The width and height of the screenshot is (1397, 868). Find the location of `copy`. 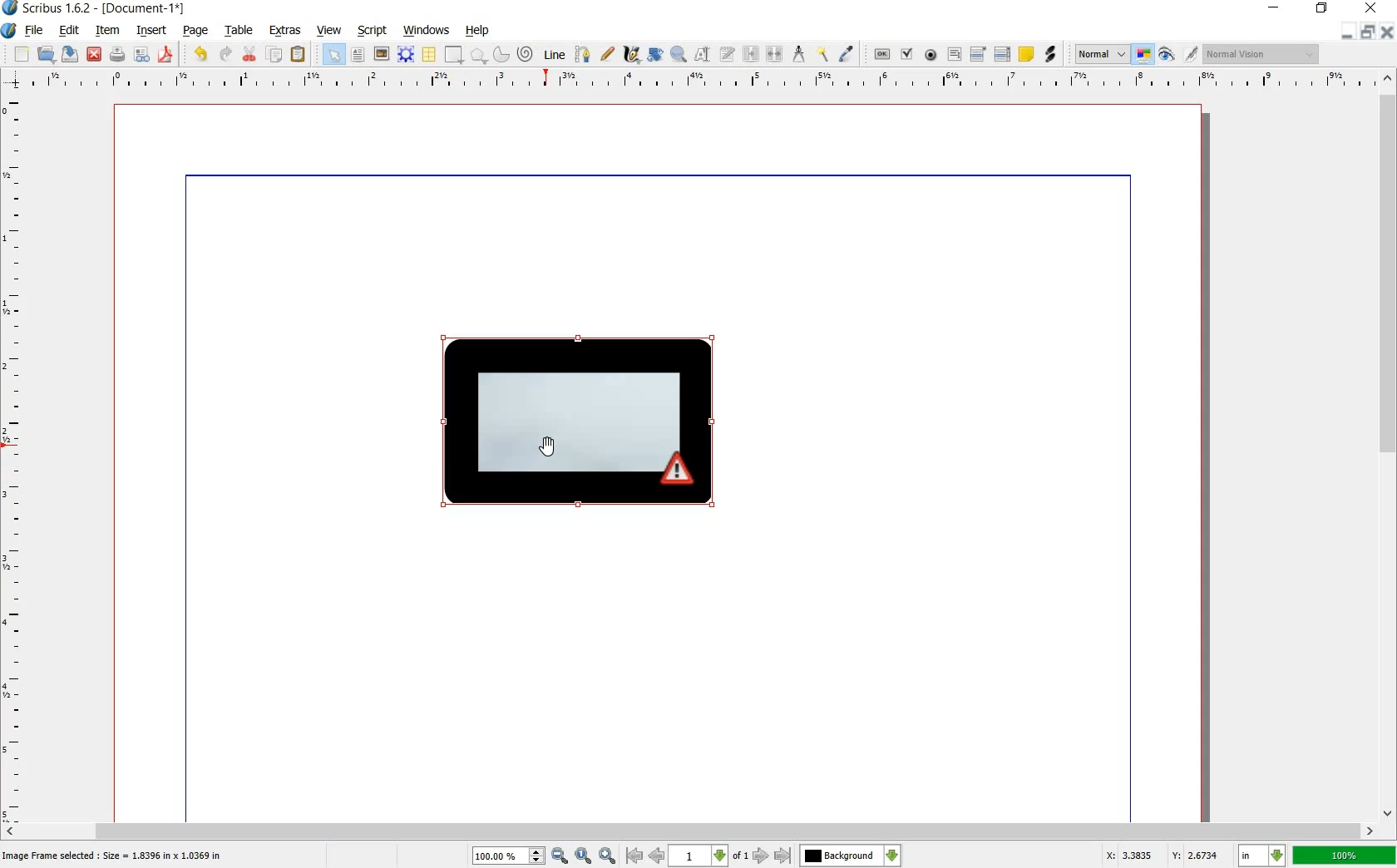

copy is located at coordinates (275, 56).